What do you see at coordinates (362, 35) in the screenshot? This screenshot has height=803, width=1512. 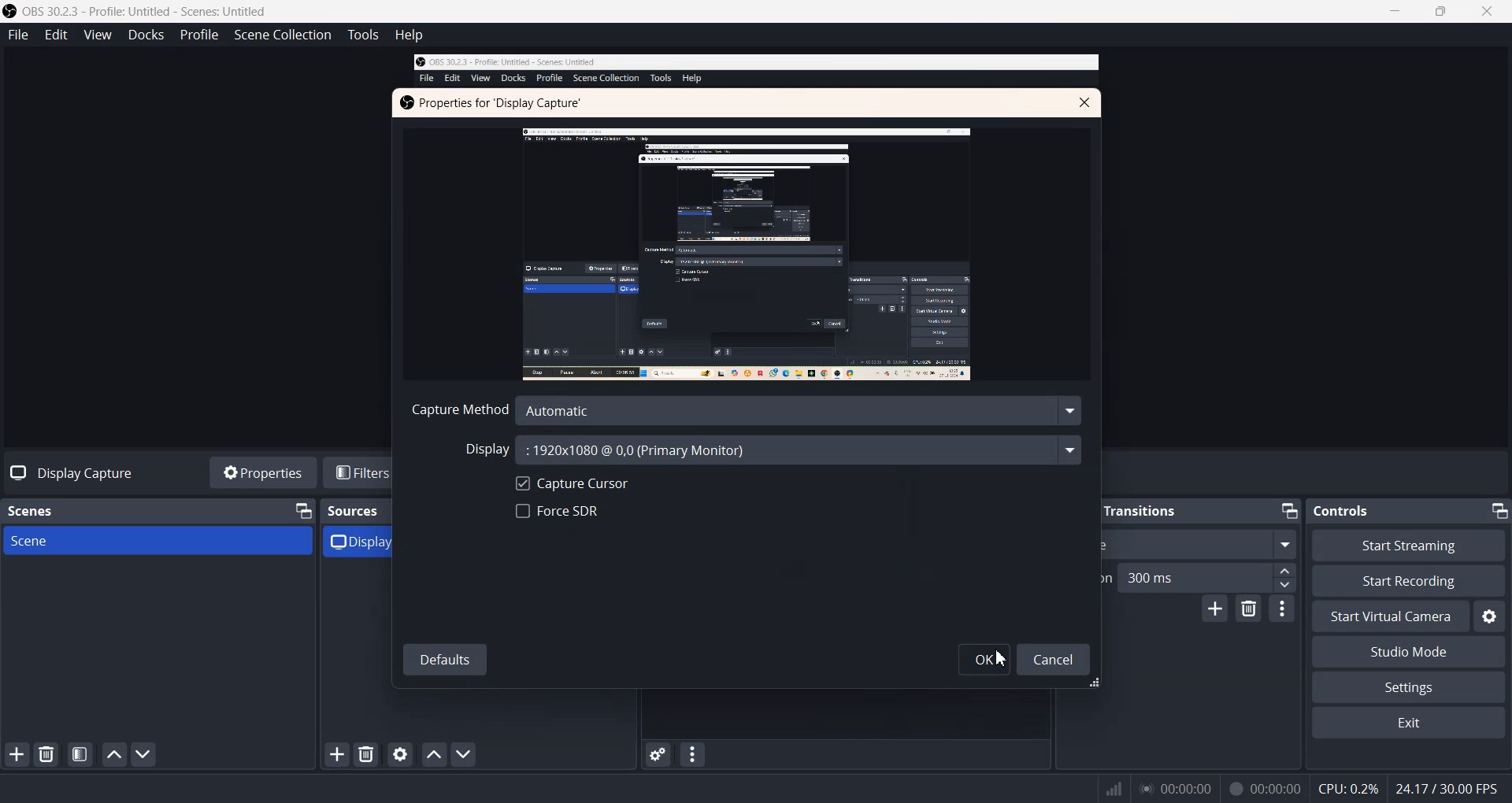 I see `Tools` at bounding box center [362, 35].